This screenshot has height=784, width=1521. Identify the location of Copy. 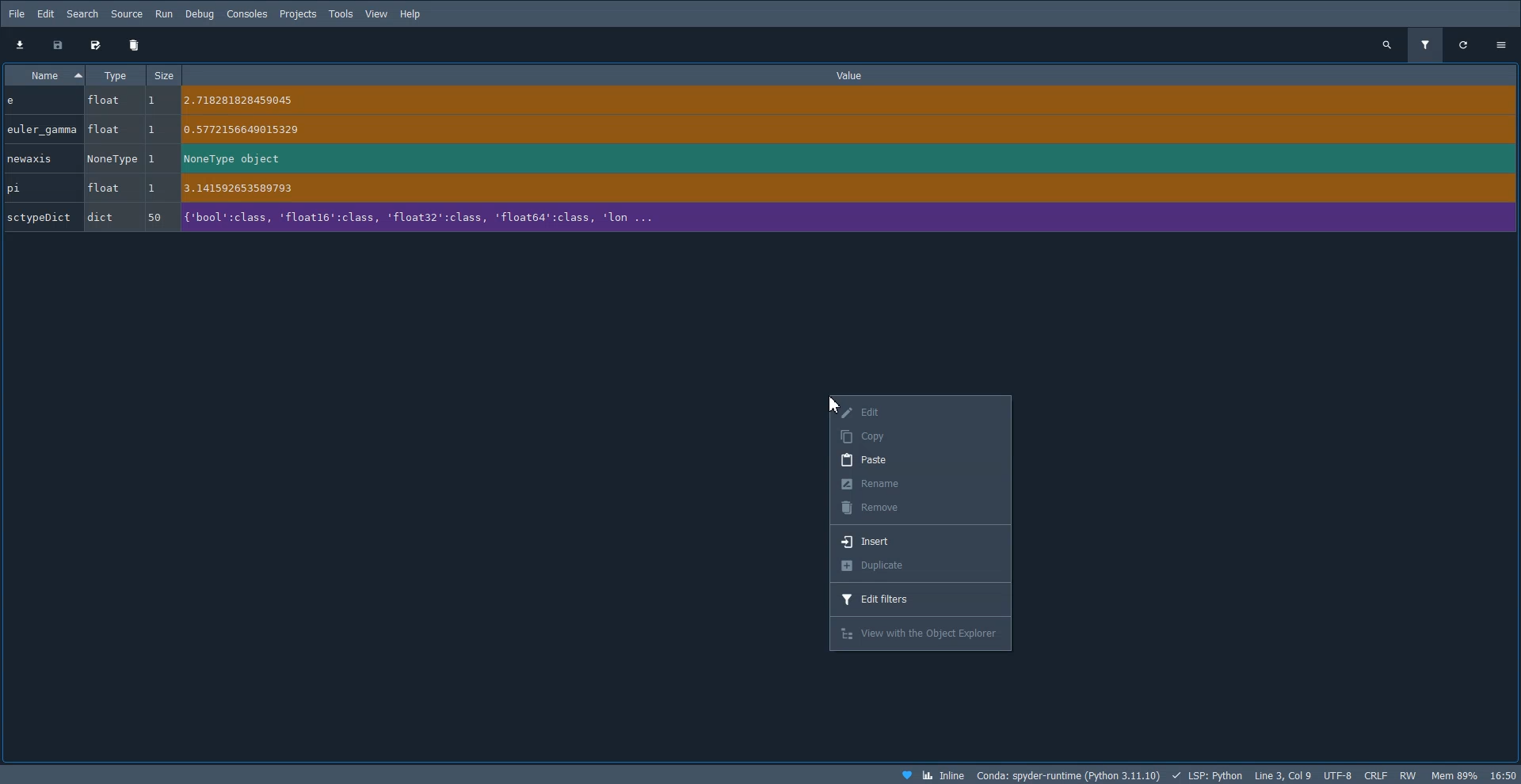
(920, 436).